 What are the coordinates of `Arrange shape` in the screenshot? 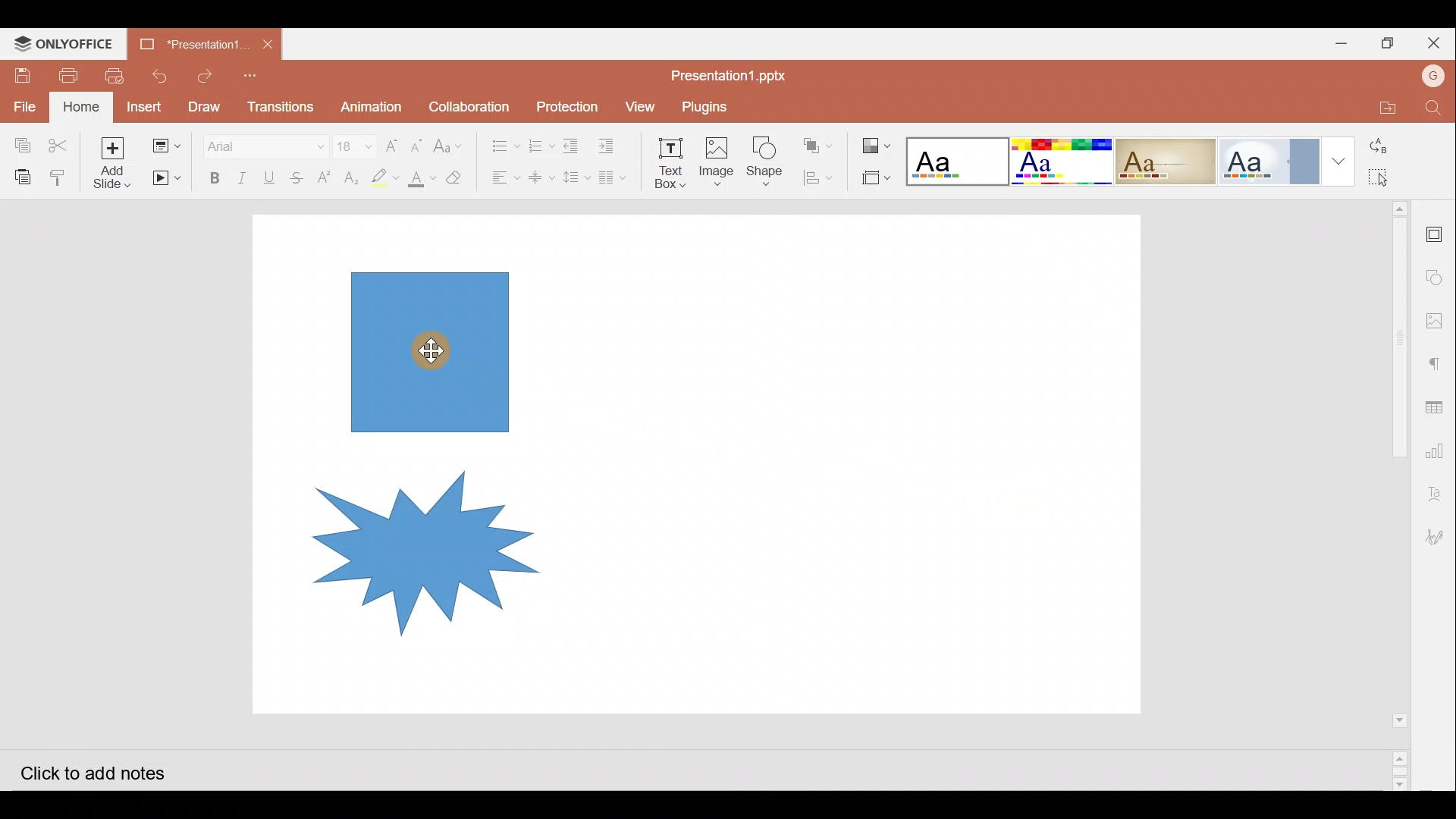 It's located at (819, 141).